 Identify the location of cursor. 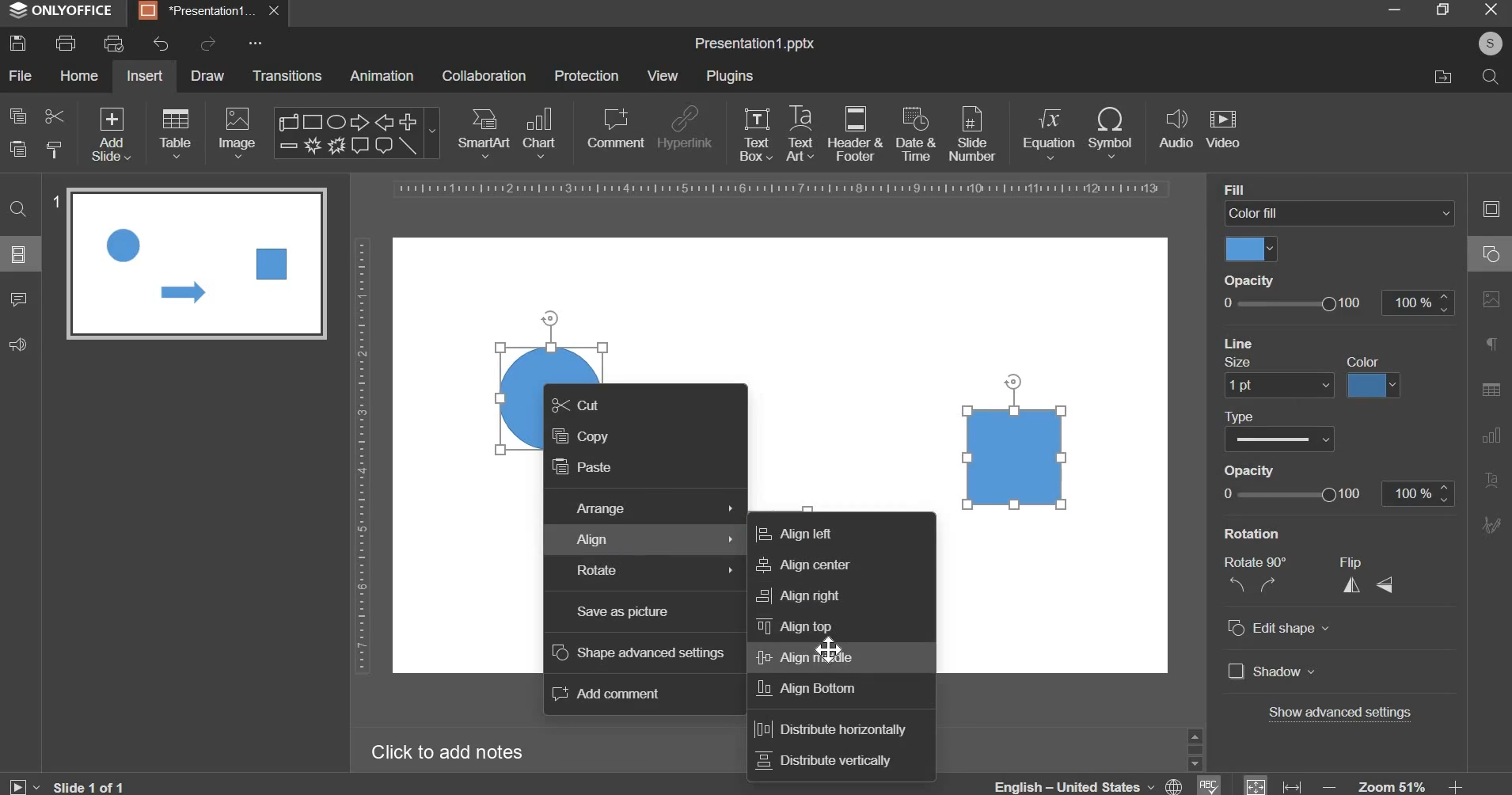
(832, 650).